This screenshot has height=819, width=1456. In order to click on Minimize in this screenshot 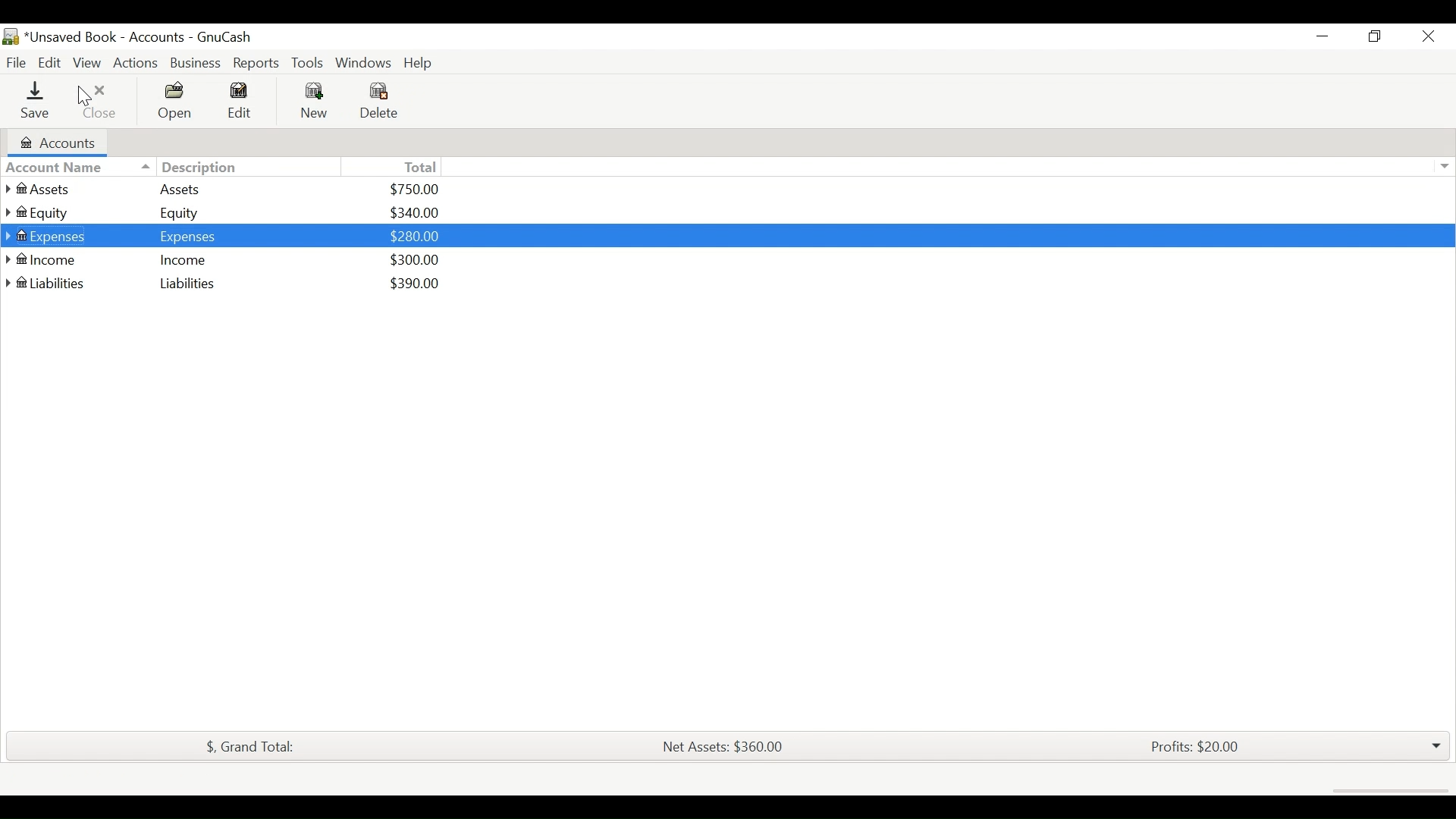, I will do `click(1323, 37)`.